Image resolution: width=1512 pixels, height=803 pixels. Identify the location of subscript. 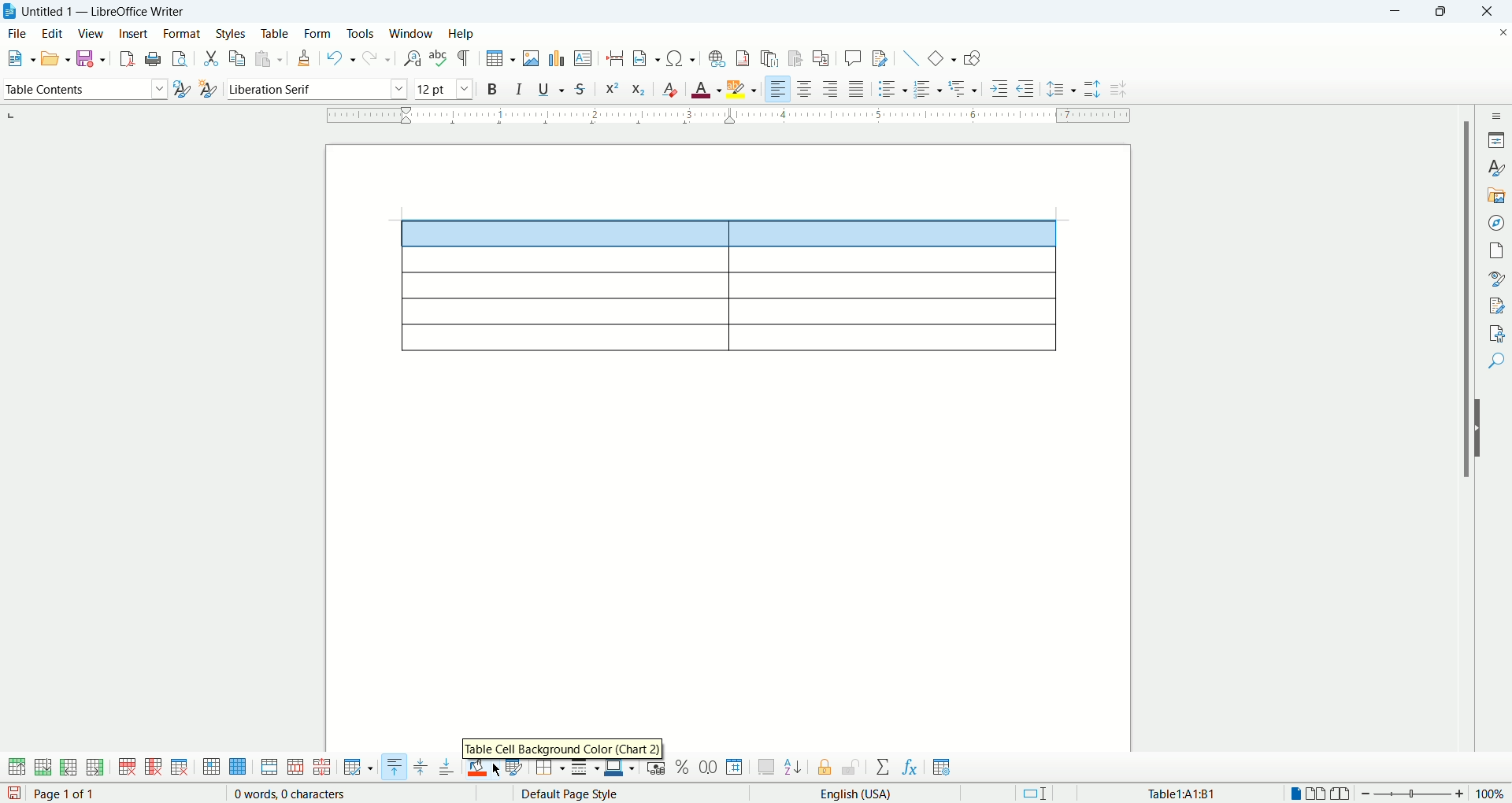
(639, 87).